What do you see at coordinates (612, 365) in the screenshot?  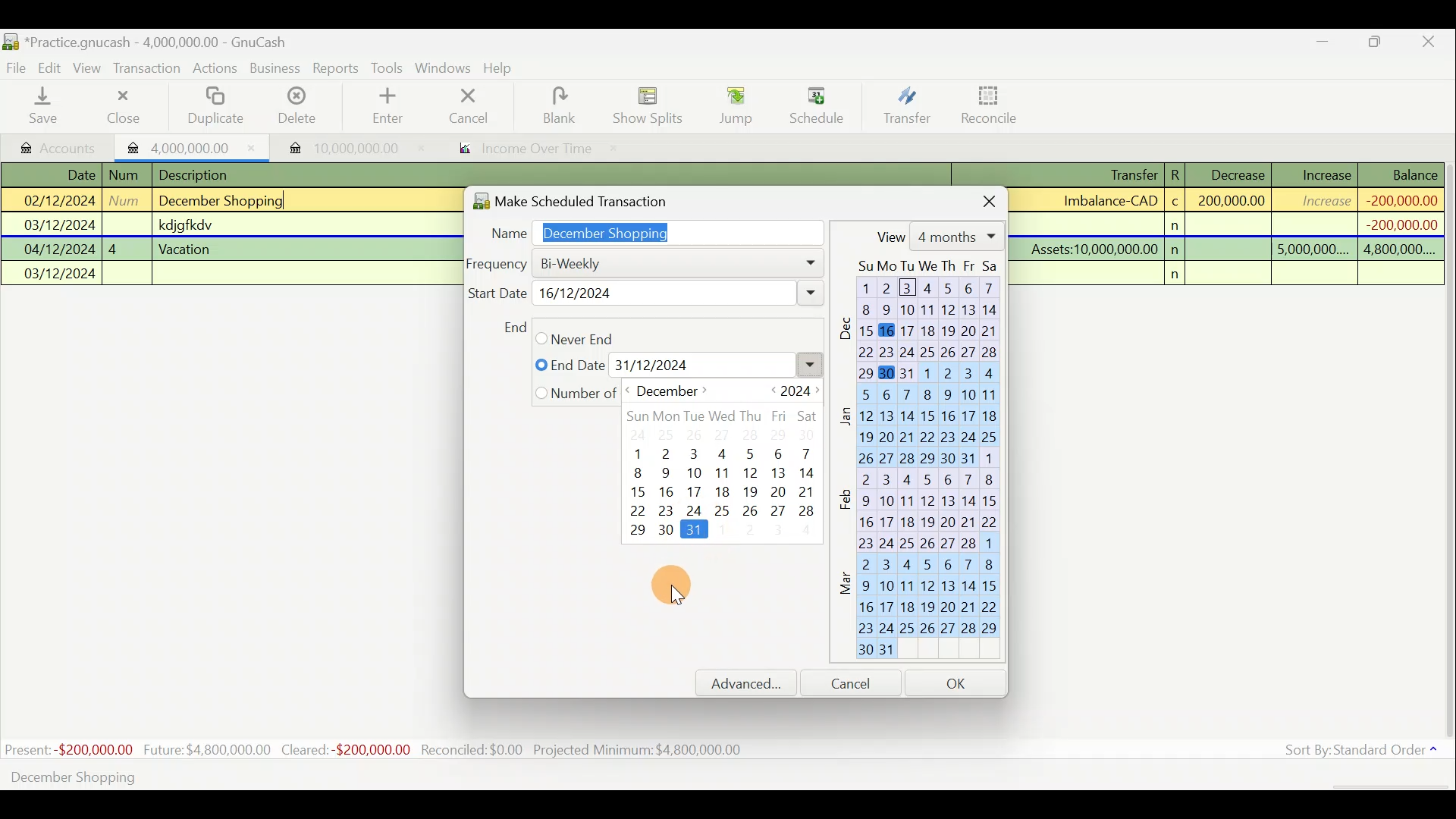 I see `Quarterly` at bounding box center [612, 365].